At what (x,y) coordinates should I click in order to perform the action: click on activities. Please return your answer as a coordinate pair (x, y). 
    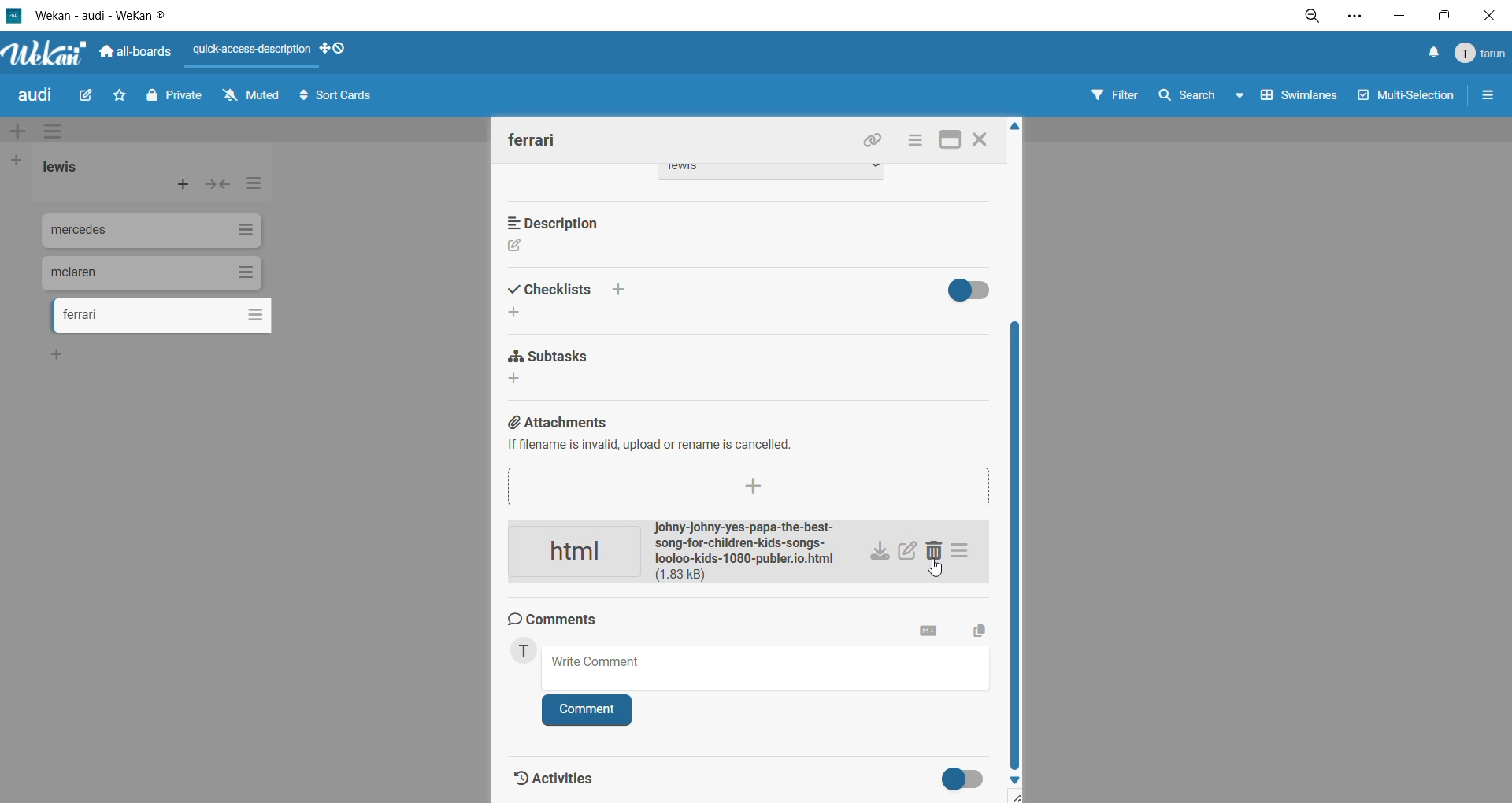
    Looking at the image, I should click on (556, 775).